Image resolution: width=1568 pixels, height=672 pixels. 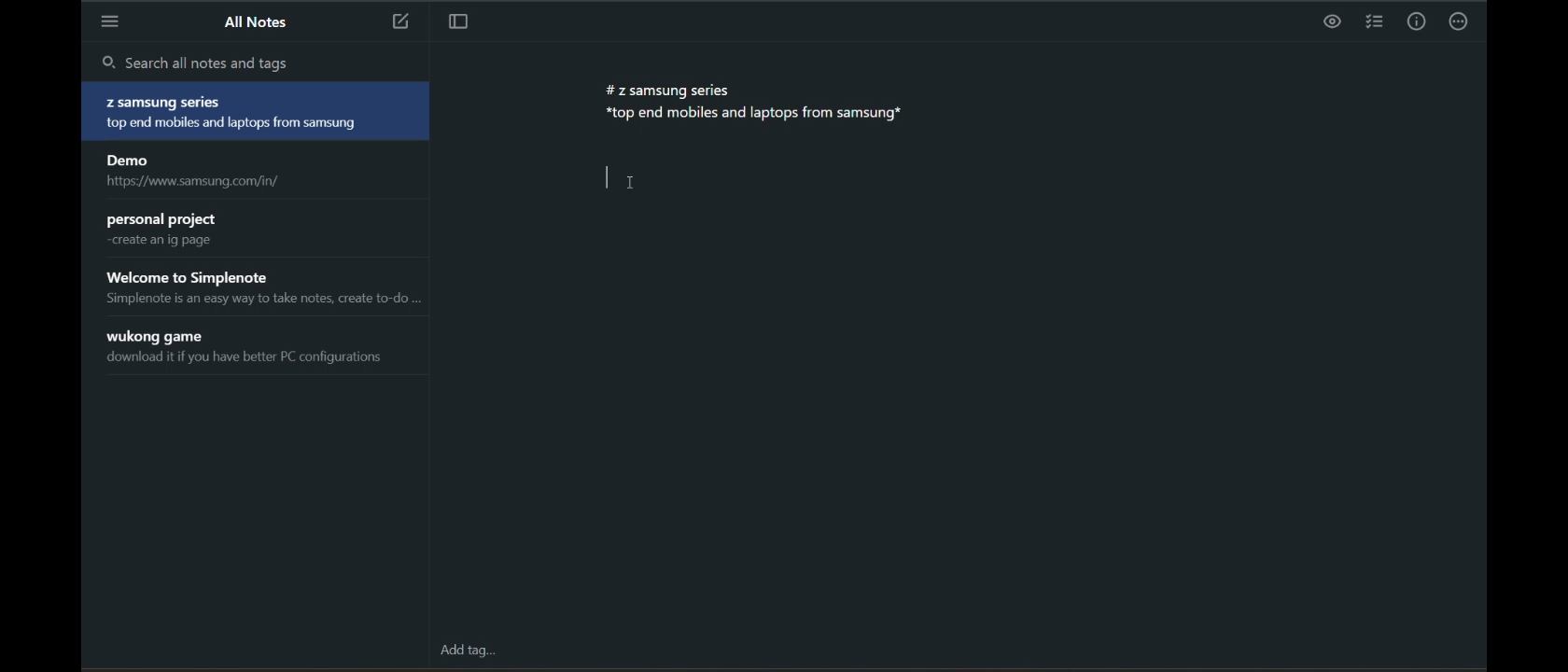 What do you see at coordinates (261, 289) in the screenshot?
I see `Welcome to Simplenote
Simplenote is an easy way to take notes, create to-do` at bounding box center [261, 289].